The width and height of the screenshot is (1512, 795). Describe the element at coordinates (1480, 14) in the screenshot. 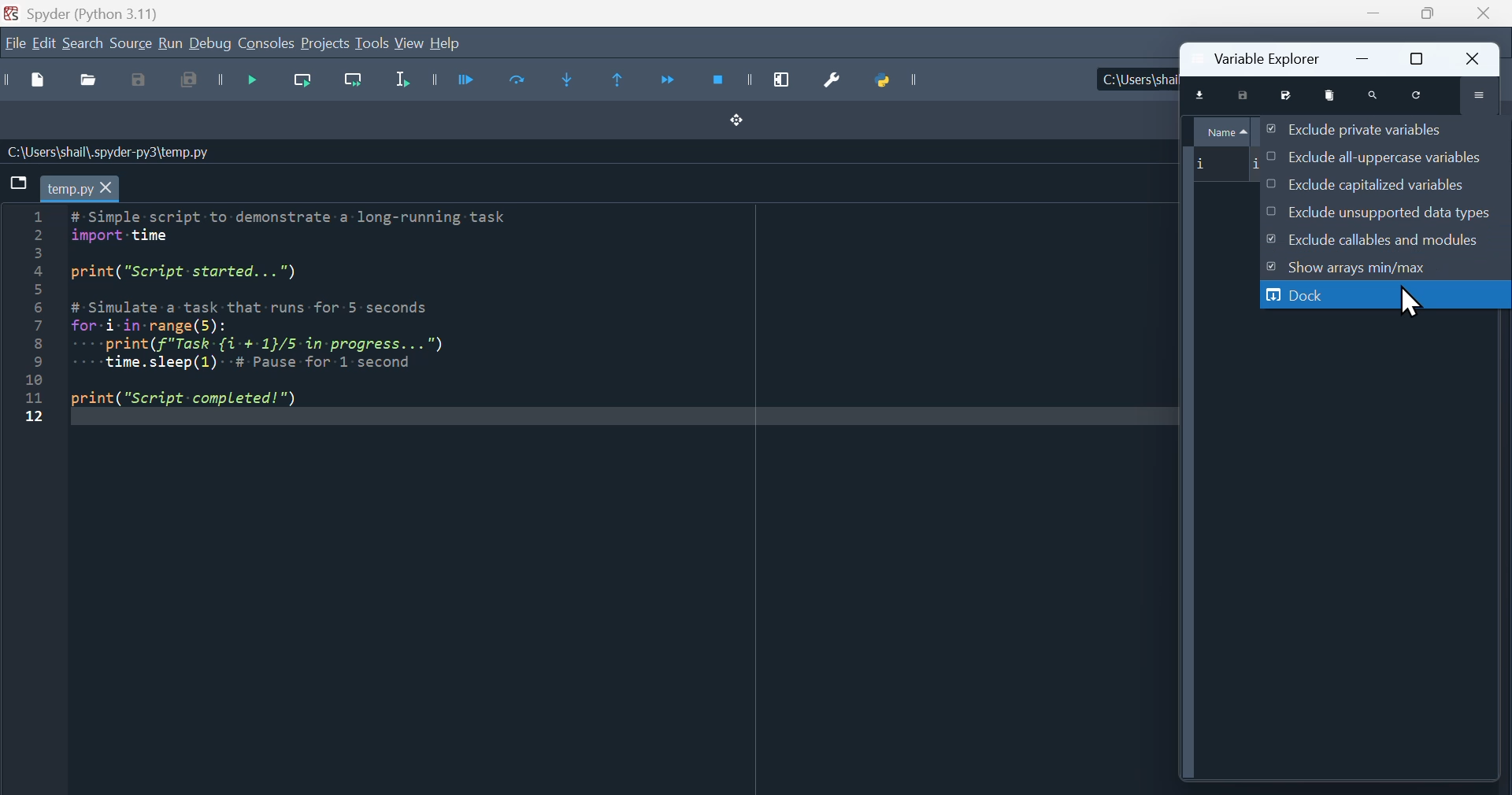

I see `Close` at that location.